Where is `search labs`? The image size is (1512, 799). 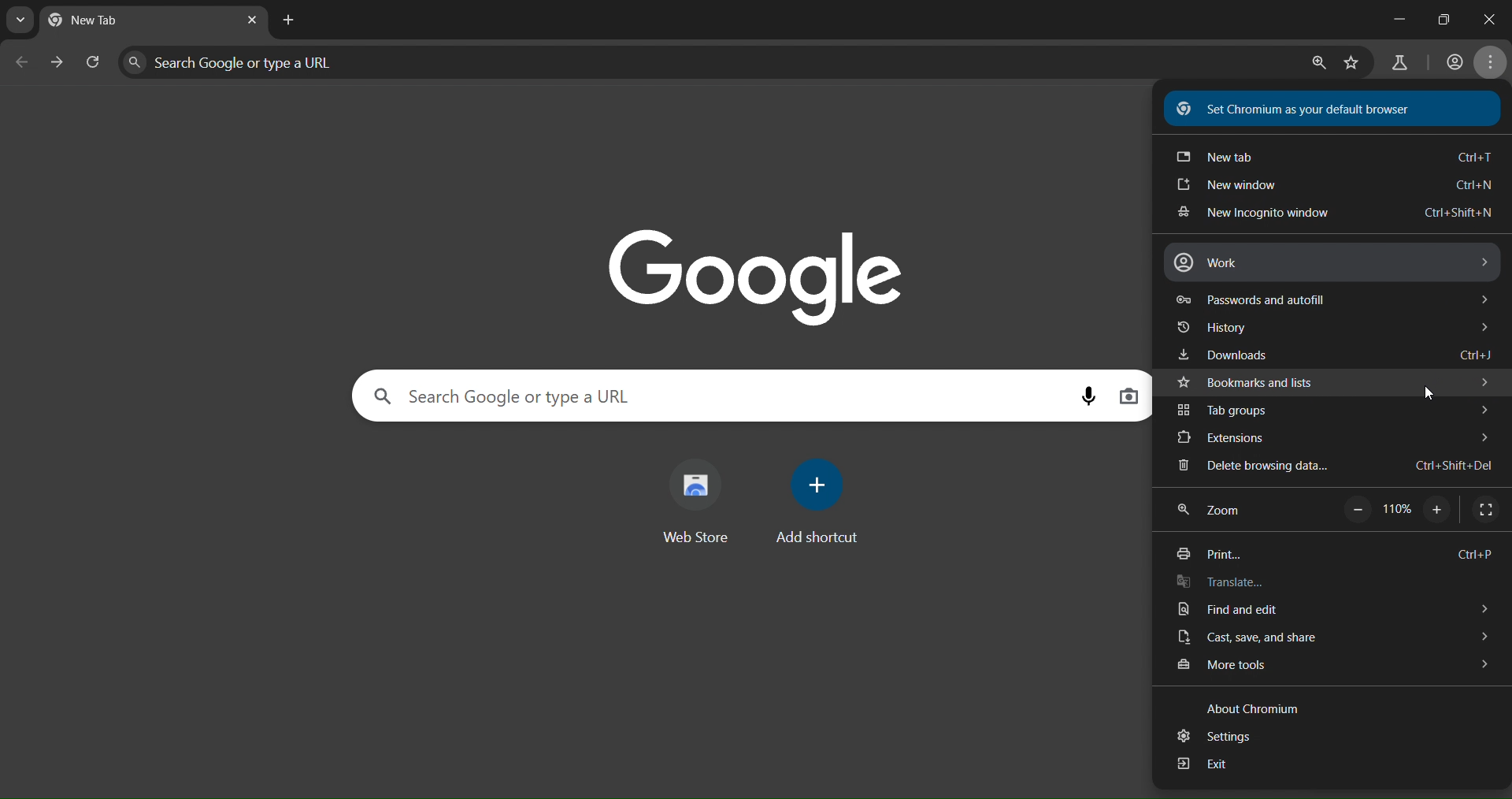 search labs is located at coordinates (1399, 63).